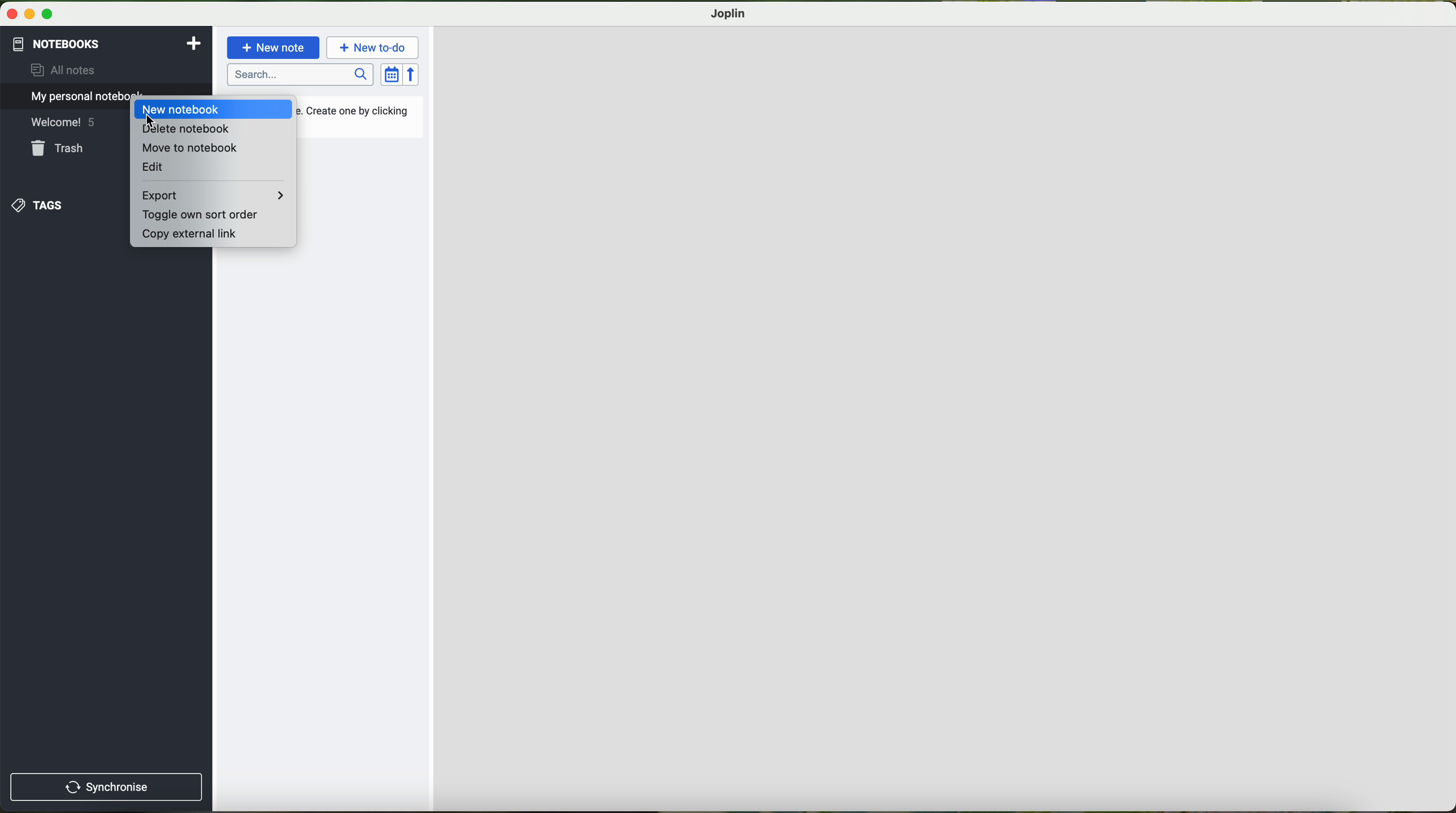 The width and height of the screenshot is (1456, 813). What do you see at coordinates (358, 116) in the screenshot?
I see `no notes in here. create one by clicking new note` at bounding box center [358, 116].